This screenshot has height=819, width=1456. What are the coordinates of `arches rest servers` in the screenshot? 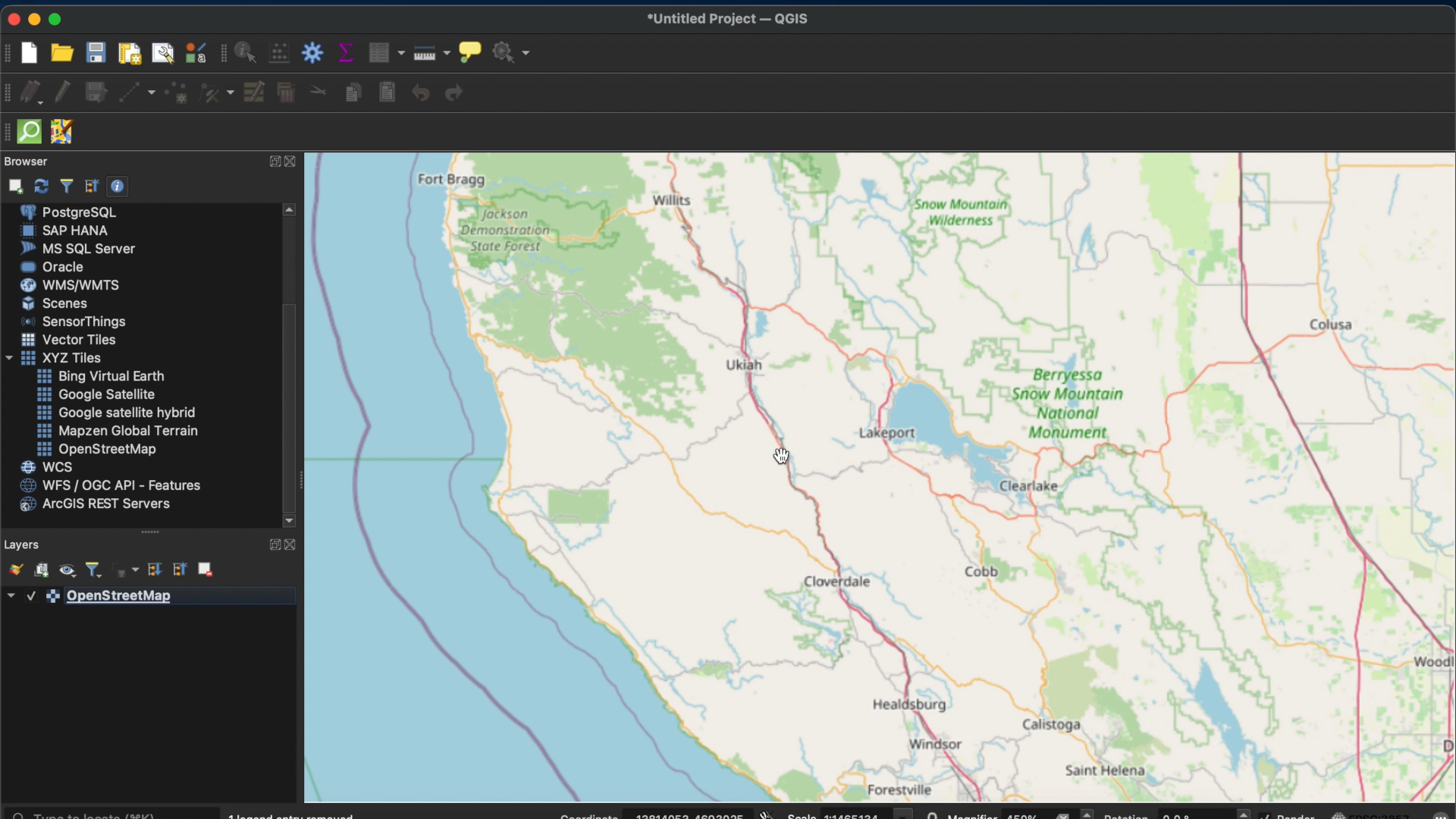 It's located at (93, 505).